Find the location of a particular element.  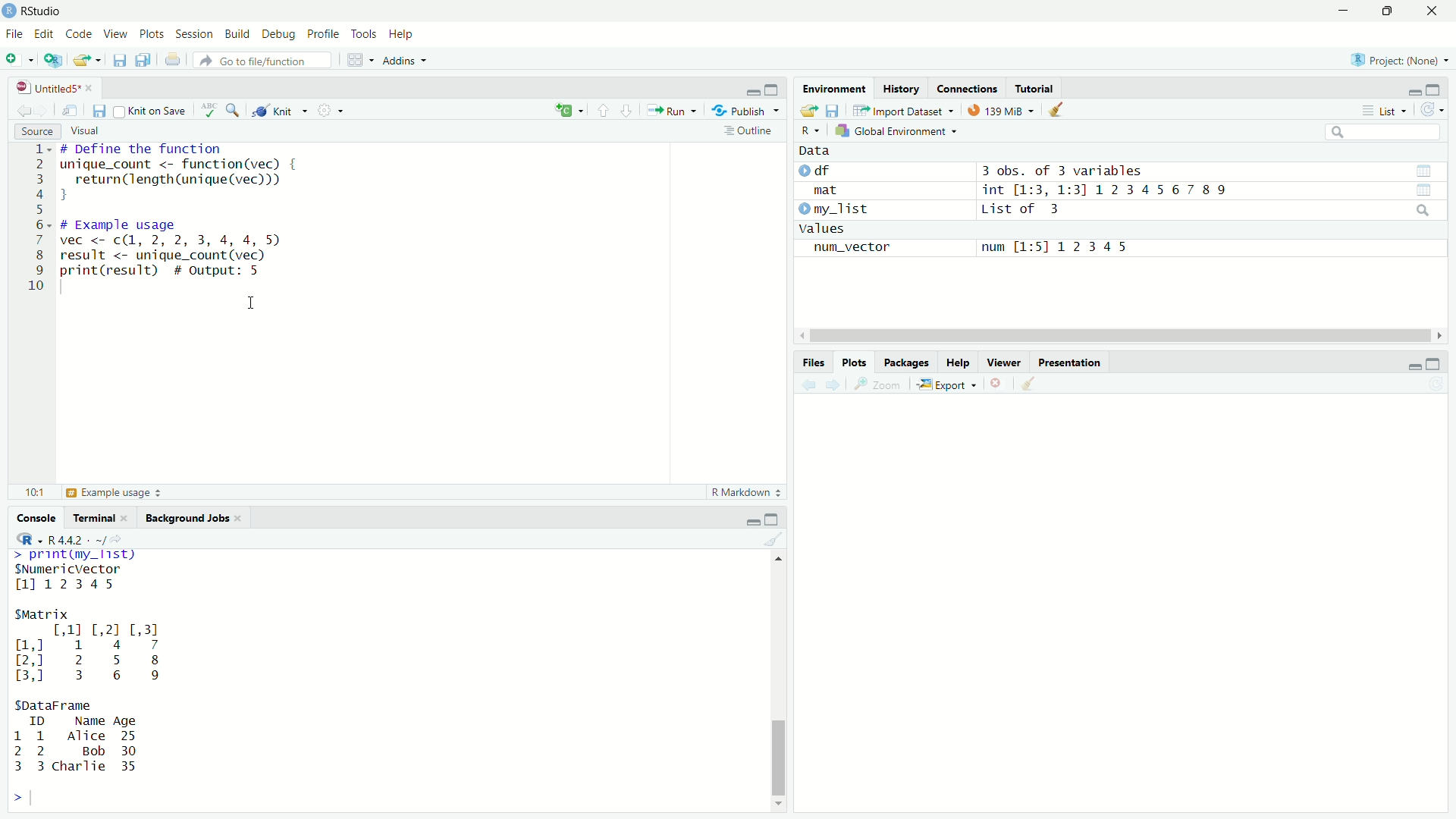

Viewer is located at coordinates (1006, 362).